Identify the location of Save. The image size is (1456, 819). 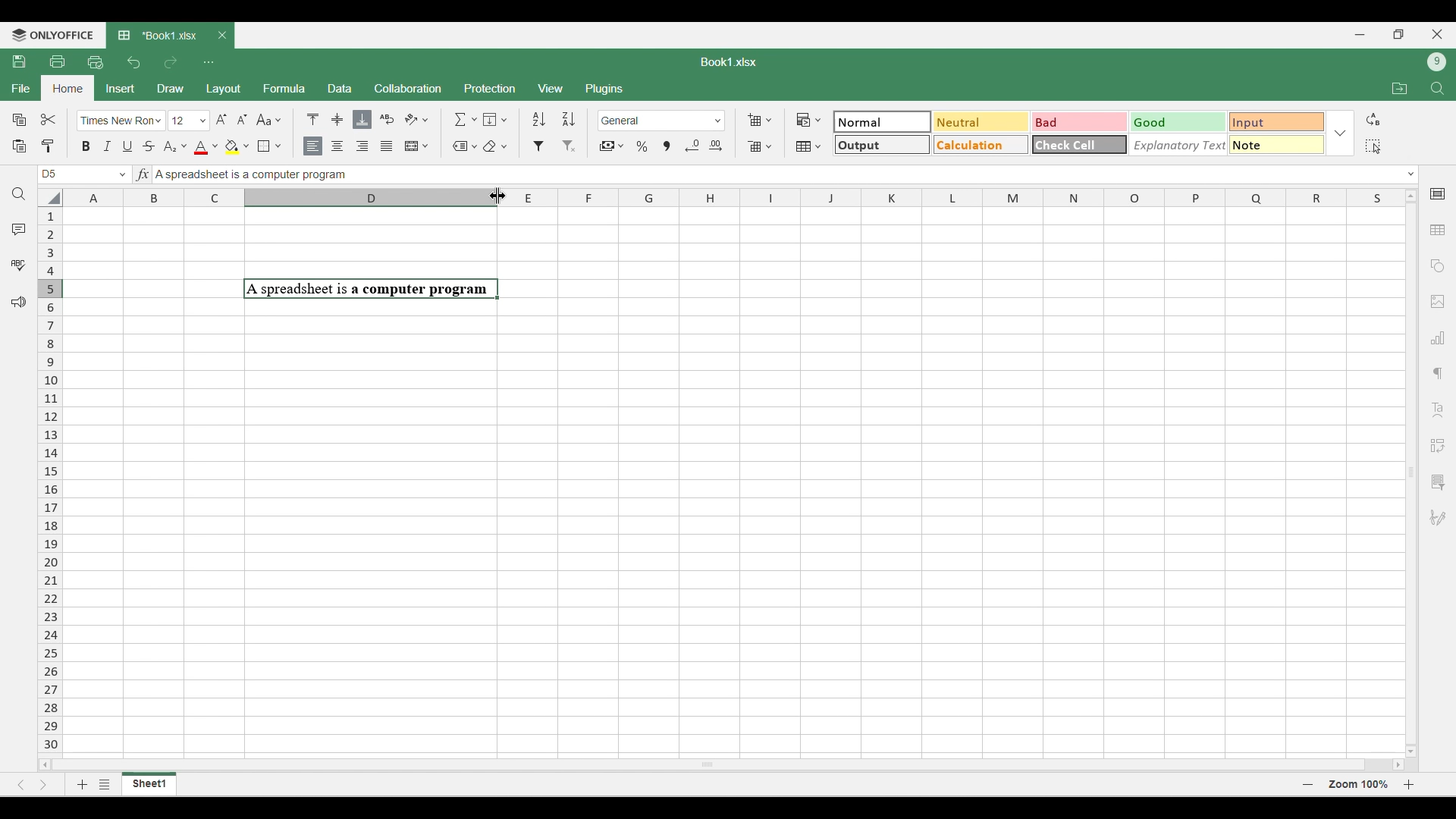
(18, 61).